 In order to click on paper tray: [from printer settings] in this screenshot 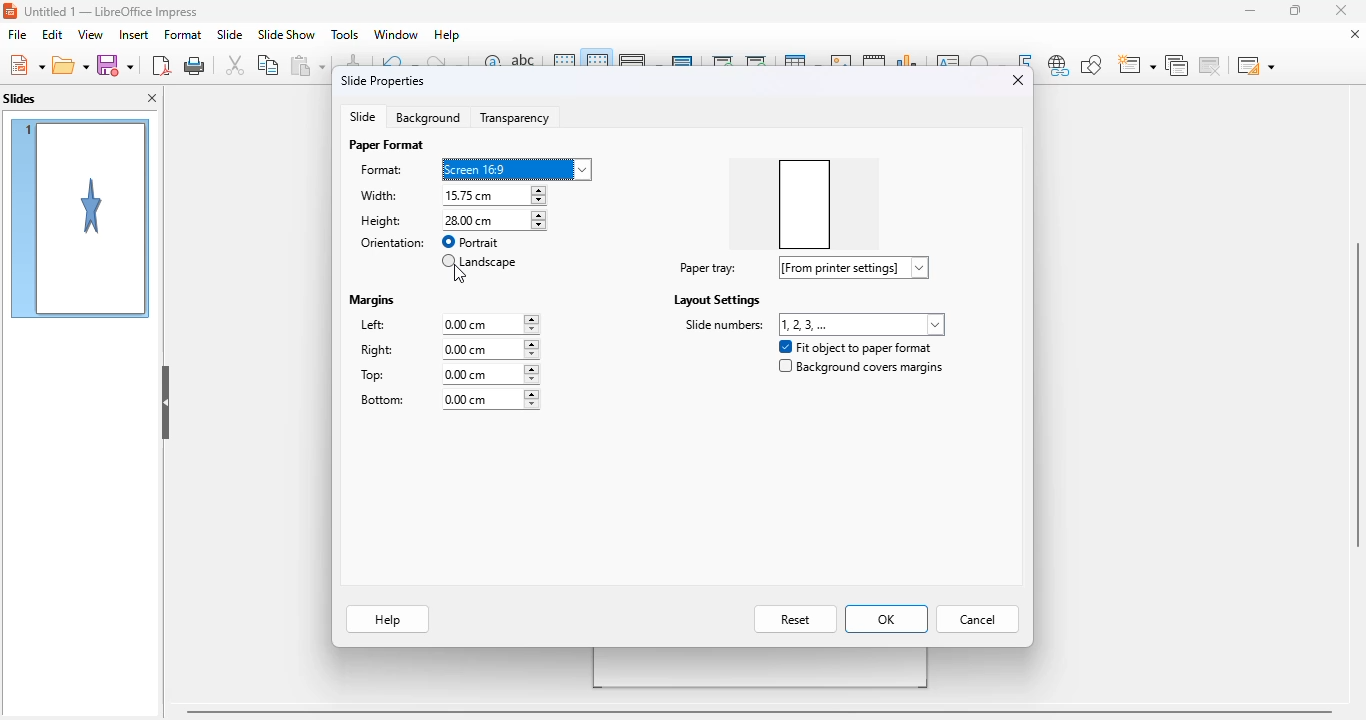, I will do `click(854, 267)`.